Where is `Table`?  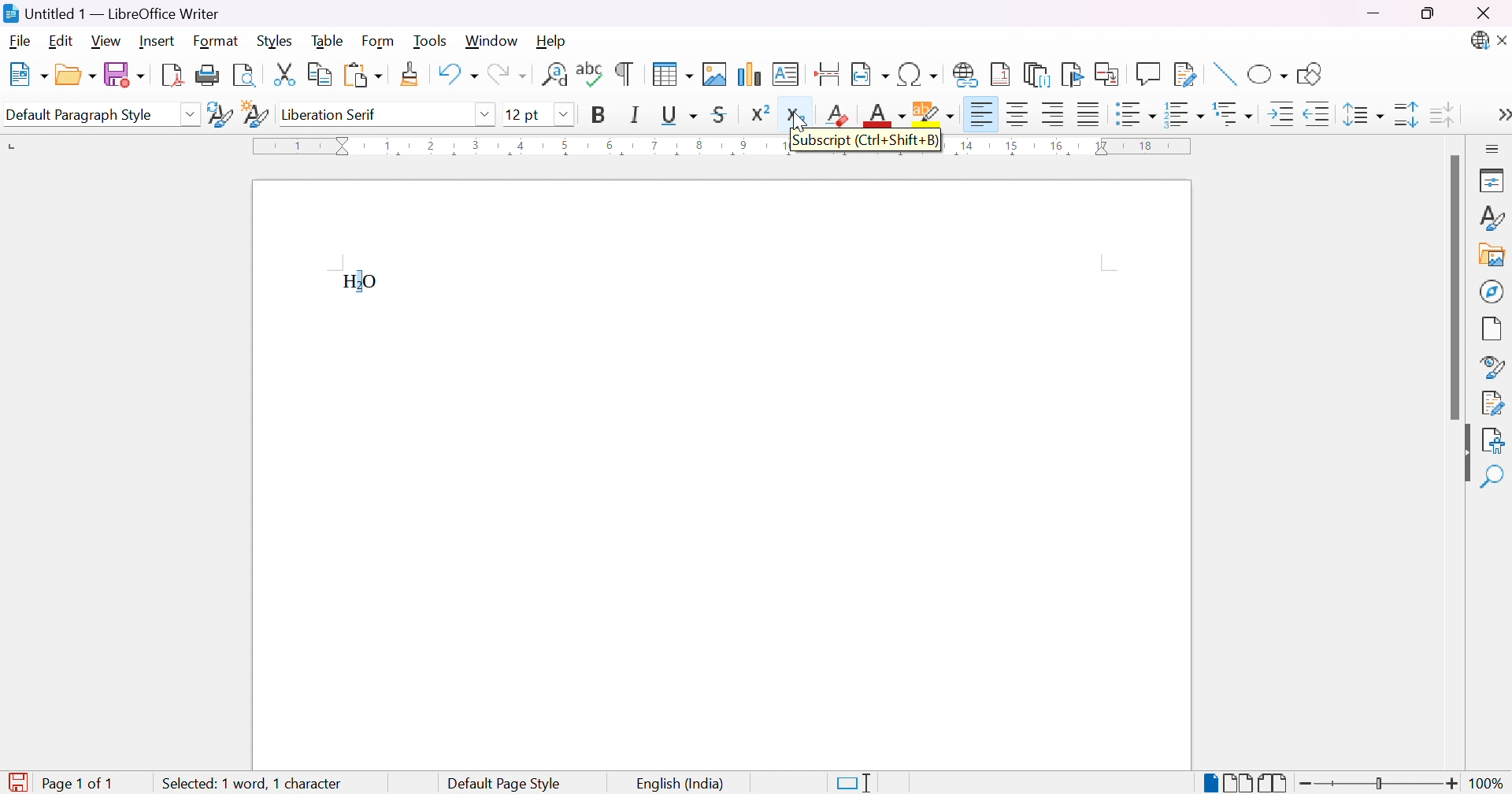 Table is located at coordinates (328, 39).